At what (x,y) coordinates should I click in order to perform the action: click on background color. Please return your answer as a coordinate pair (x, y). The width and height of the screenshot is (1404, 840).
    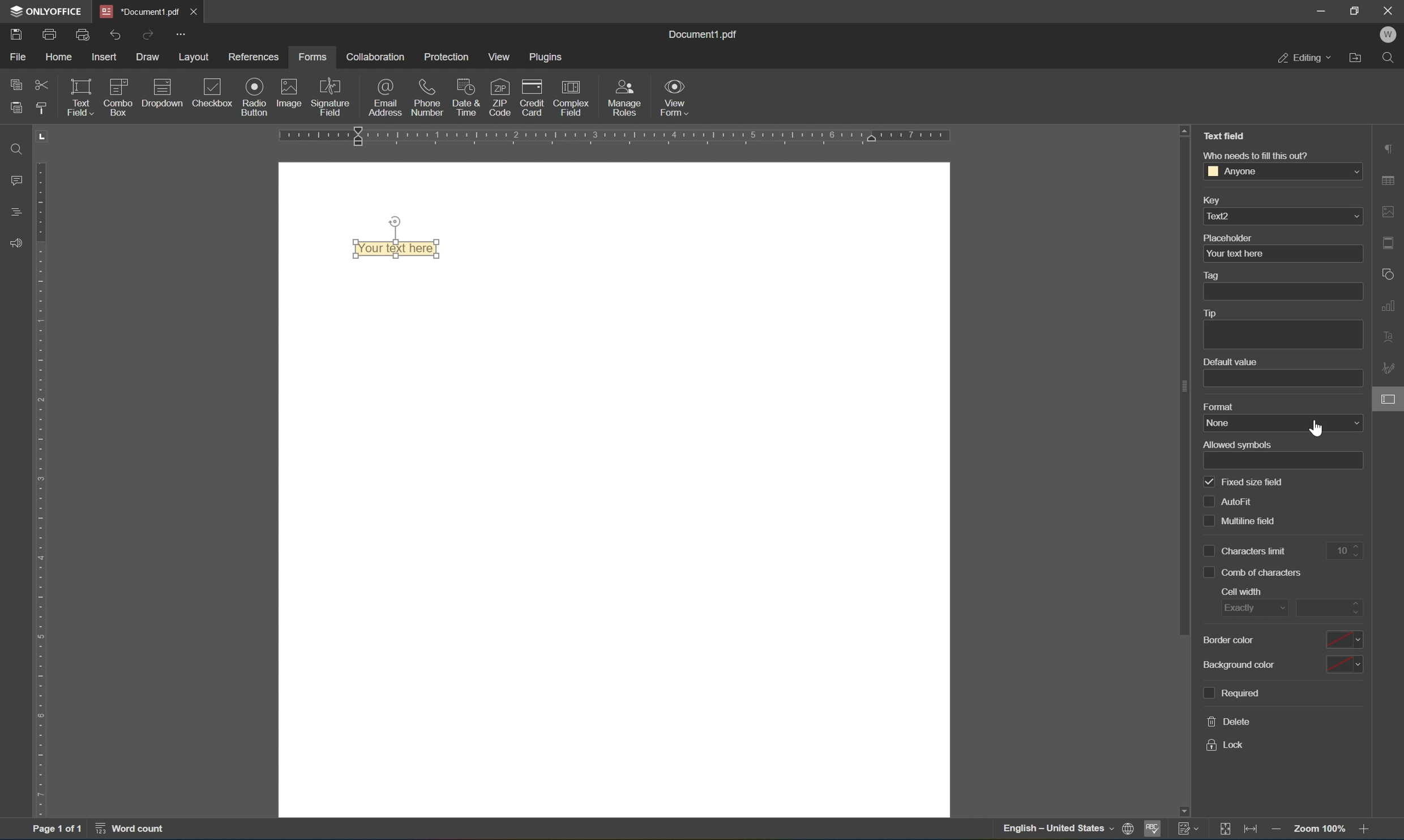
    Looking at the image, I should click on (1244, 667).